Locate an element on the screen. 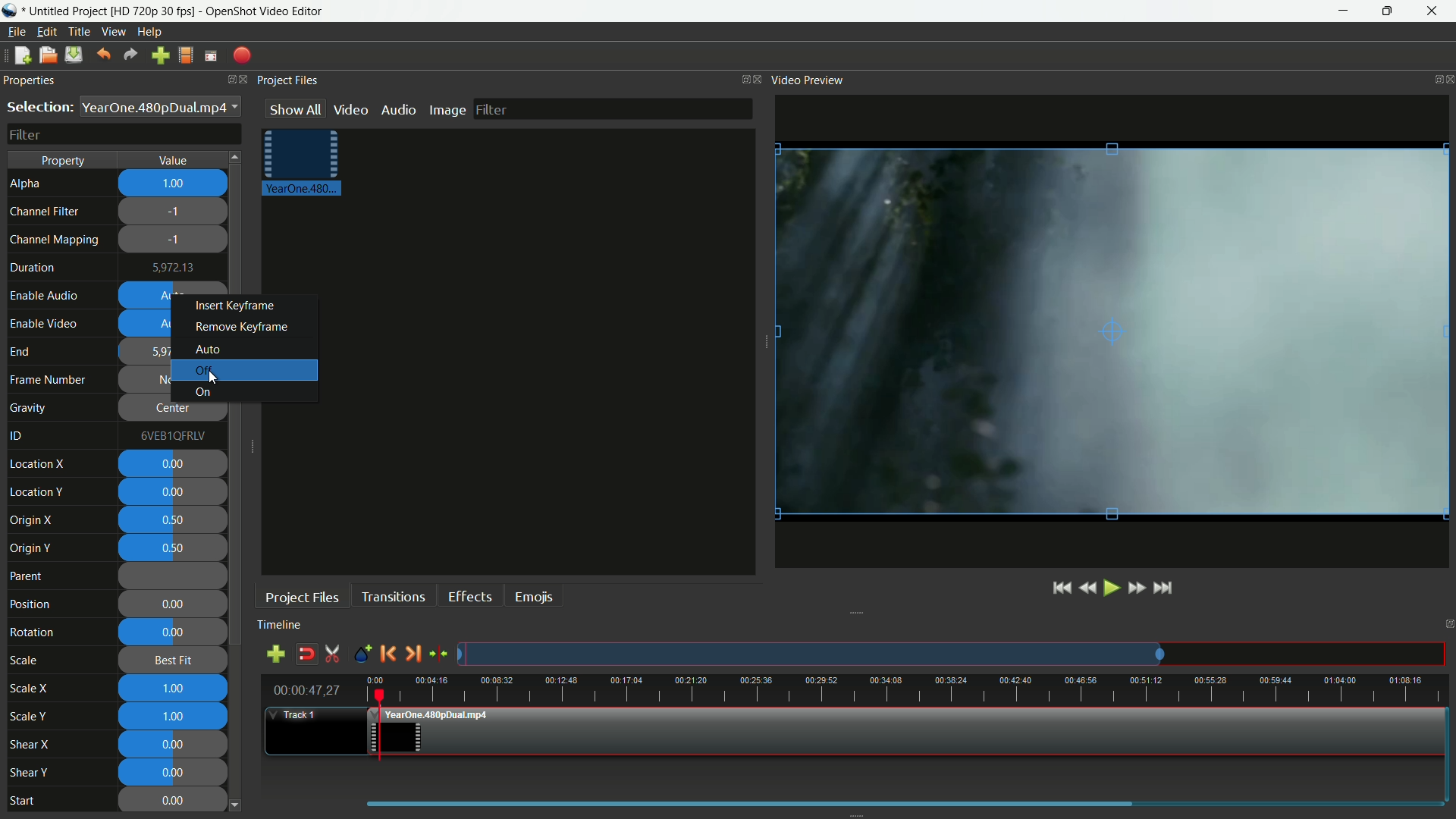 This screenshot has width=1456, height=819. view menu is located at coordinates (113, 33).